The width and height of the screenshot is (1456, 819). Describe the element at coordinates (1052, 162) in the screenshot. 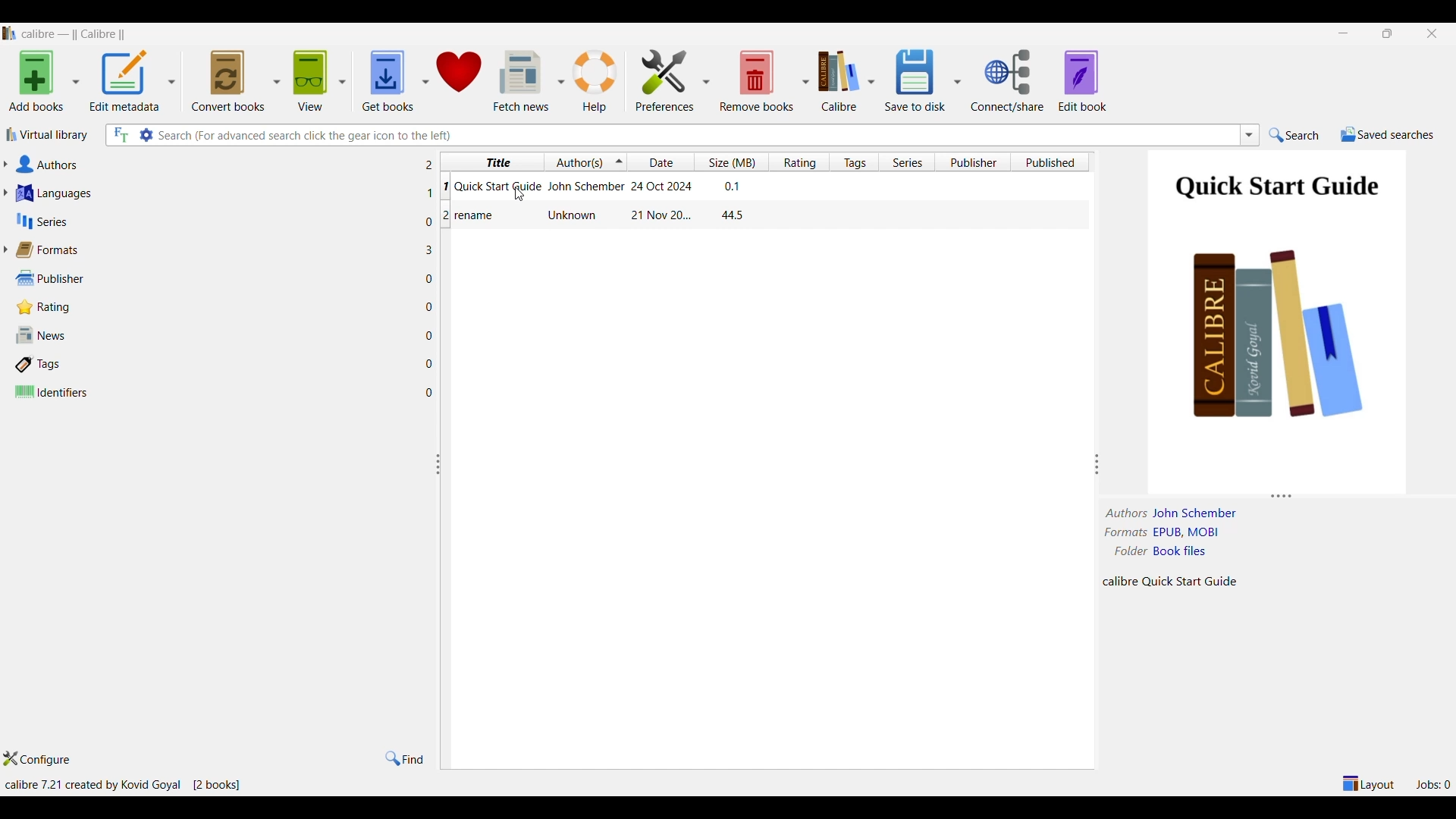

I see `Published column` at that location.